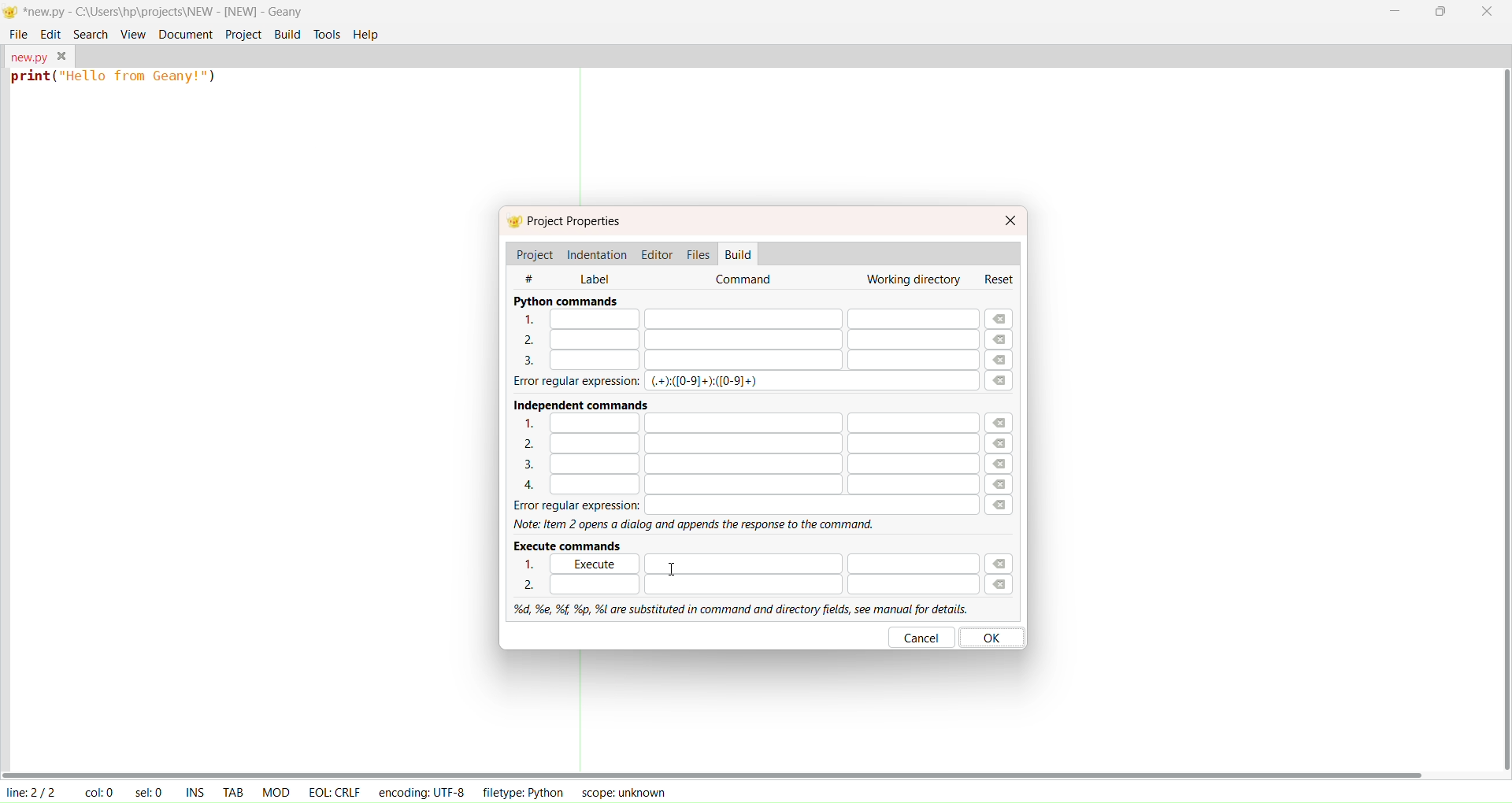 Image resolution: width=1512 pixels, height=803 pixels. What do you see at coordinates (19, 34) in the screenshot?
I see `file` at bounding box center [19, 34].